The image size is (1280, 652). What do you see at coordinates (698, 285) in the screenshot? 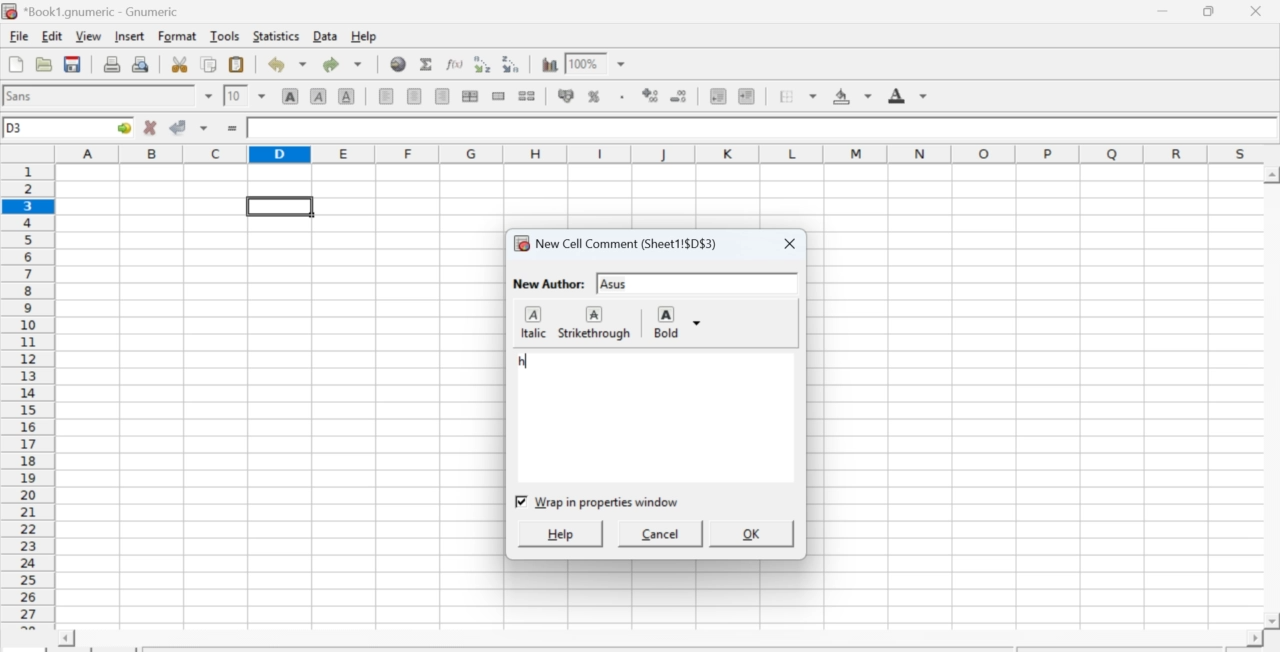
I see `input text` at bounding box center [698, 285].